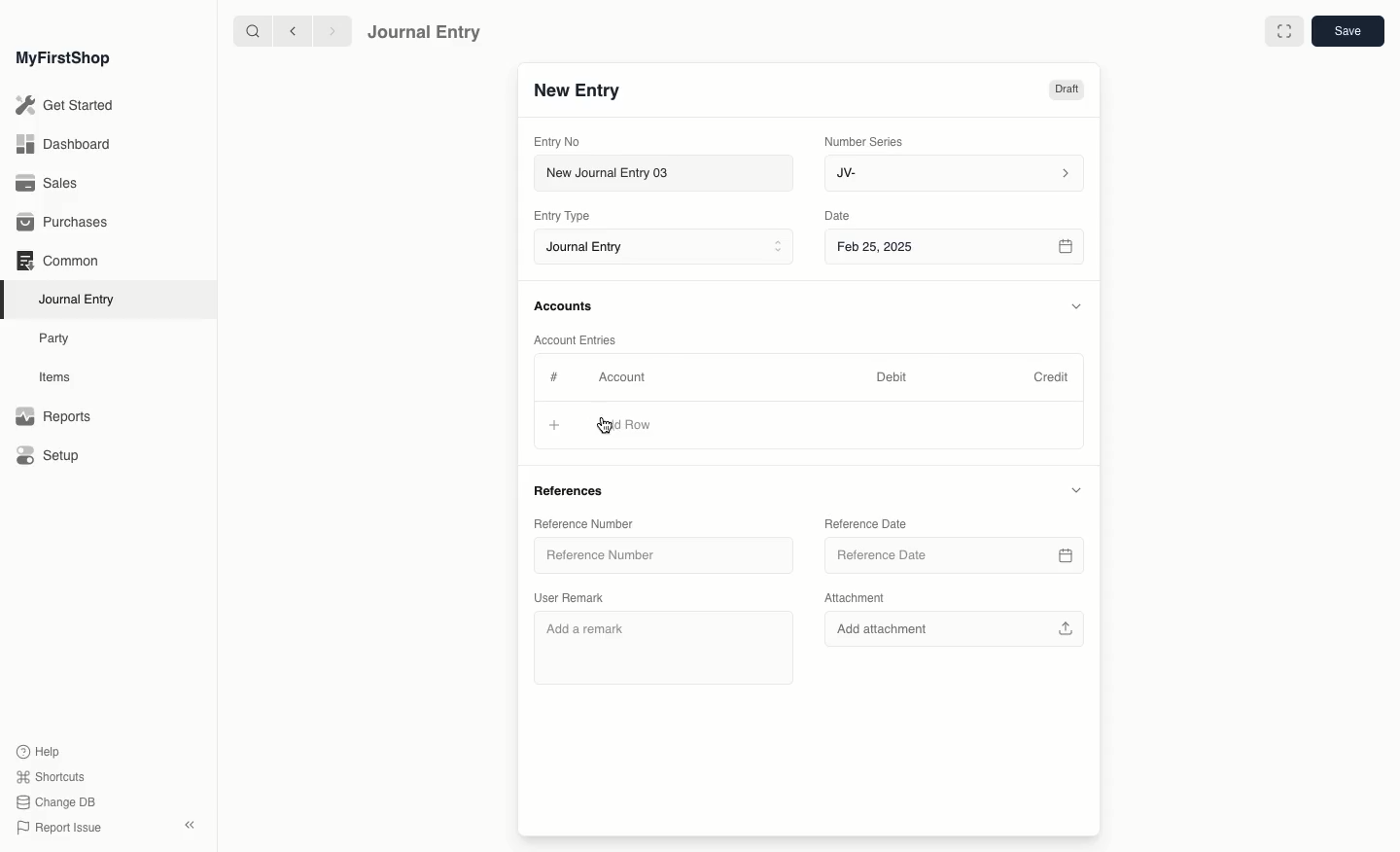 The height and width of the screenshot is (852, 1400). I want to click on Attachment, so click(855, 598).